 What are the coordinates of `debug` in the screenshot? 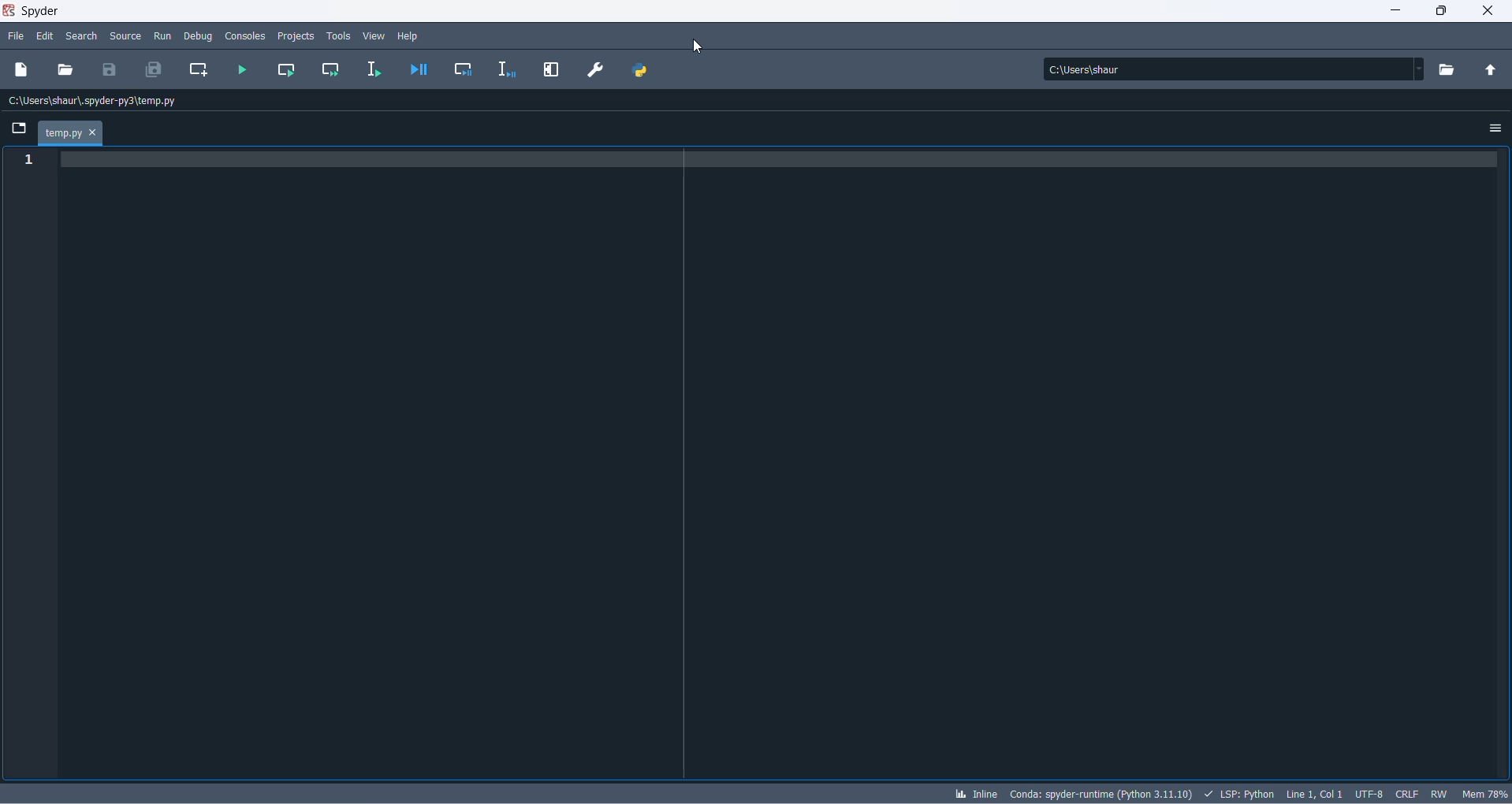 It's located at (198, 34).